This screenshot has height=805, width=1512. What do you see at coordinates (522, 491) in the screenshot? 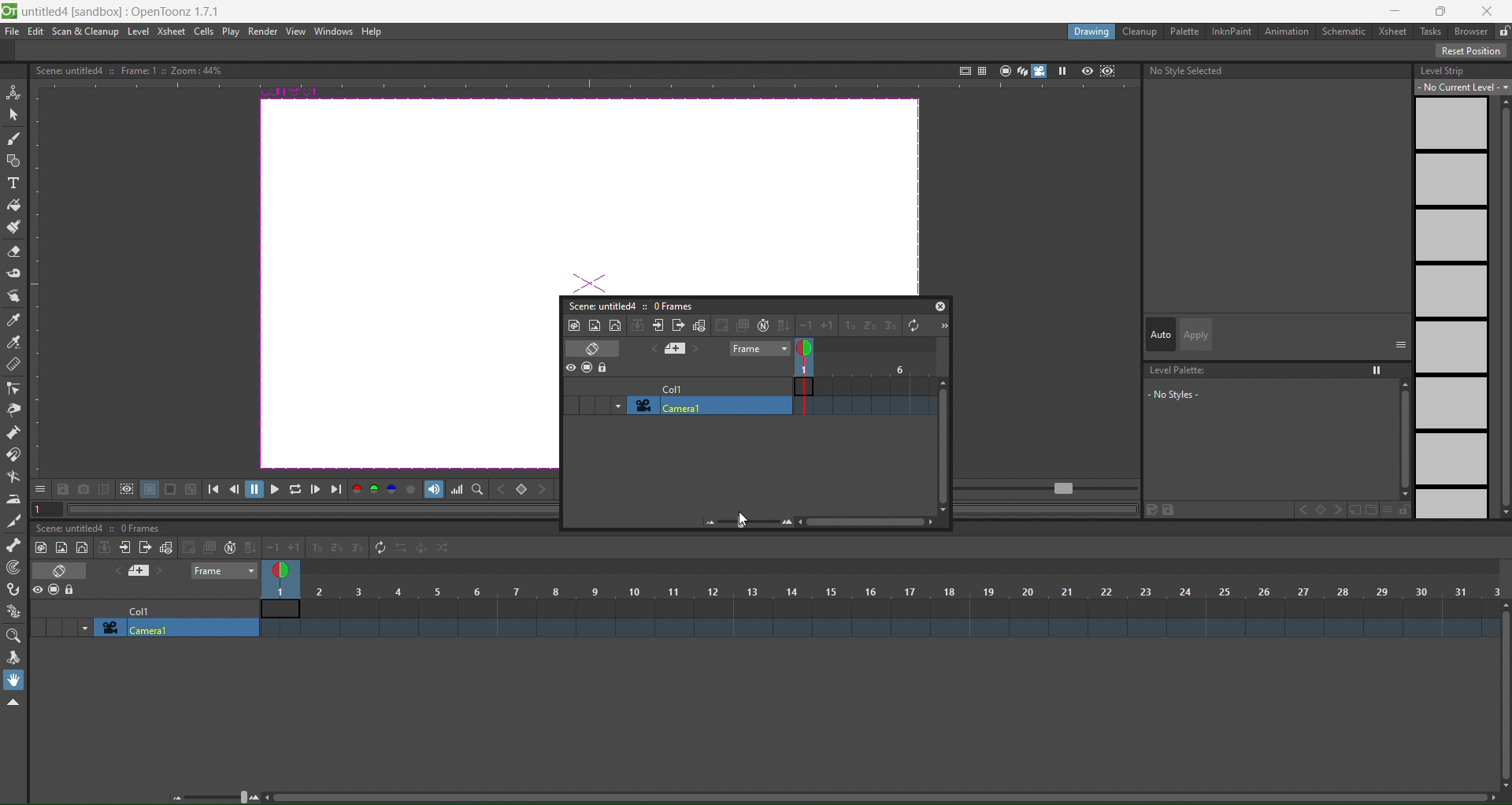
I see `locator` at bounding box center [522, 491].